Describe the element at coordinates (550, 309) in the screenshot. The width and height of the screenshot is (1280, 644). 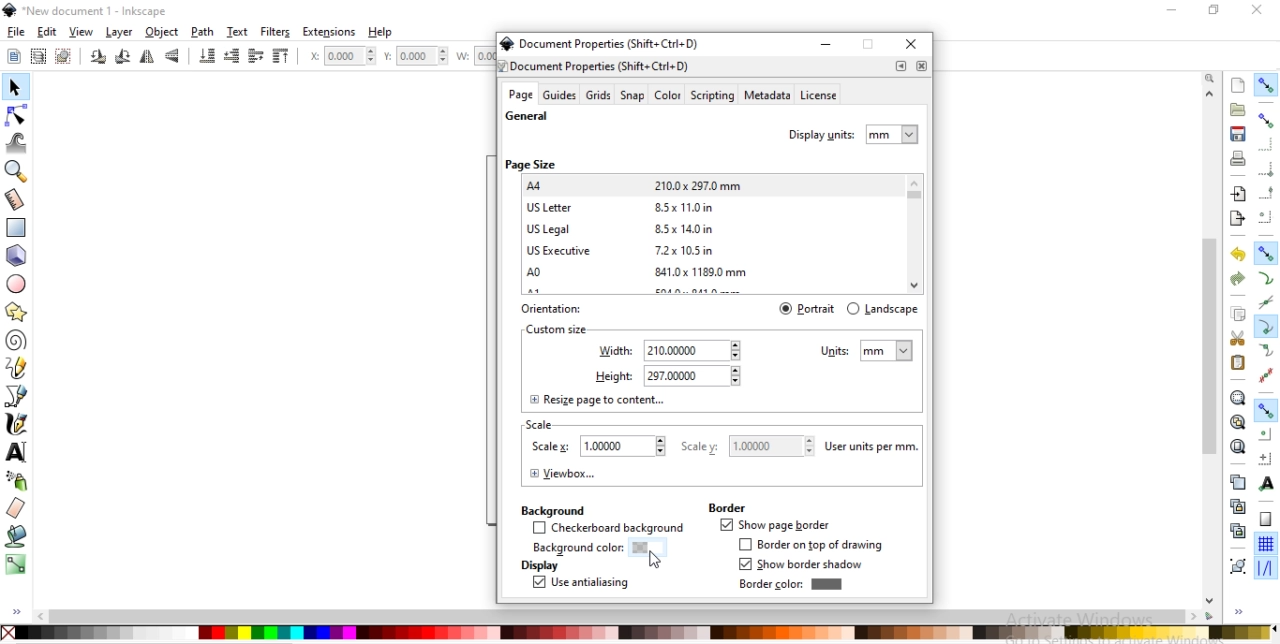
I see `orientation` at that location.